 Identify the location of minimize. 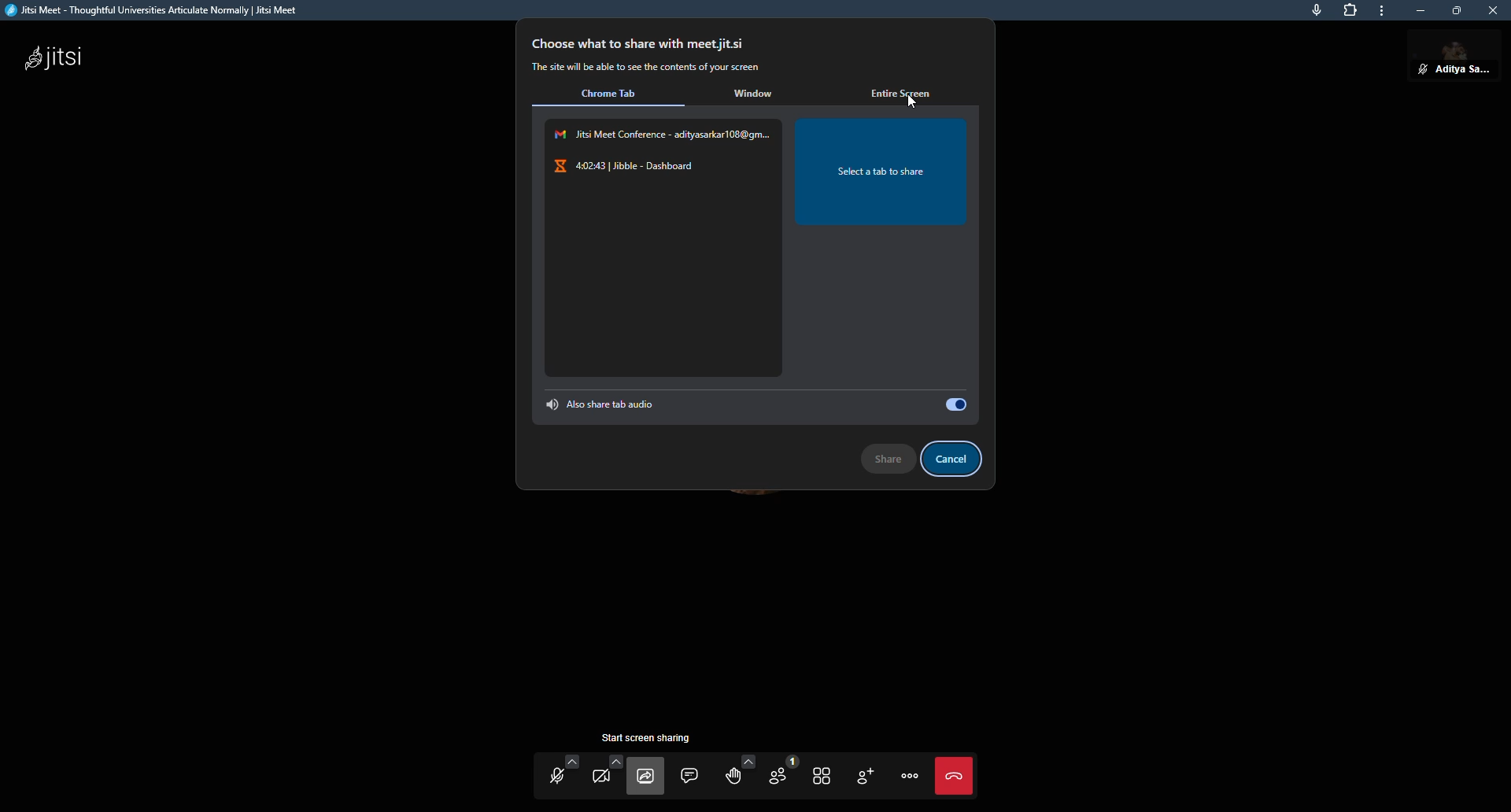
(1415, 10).